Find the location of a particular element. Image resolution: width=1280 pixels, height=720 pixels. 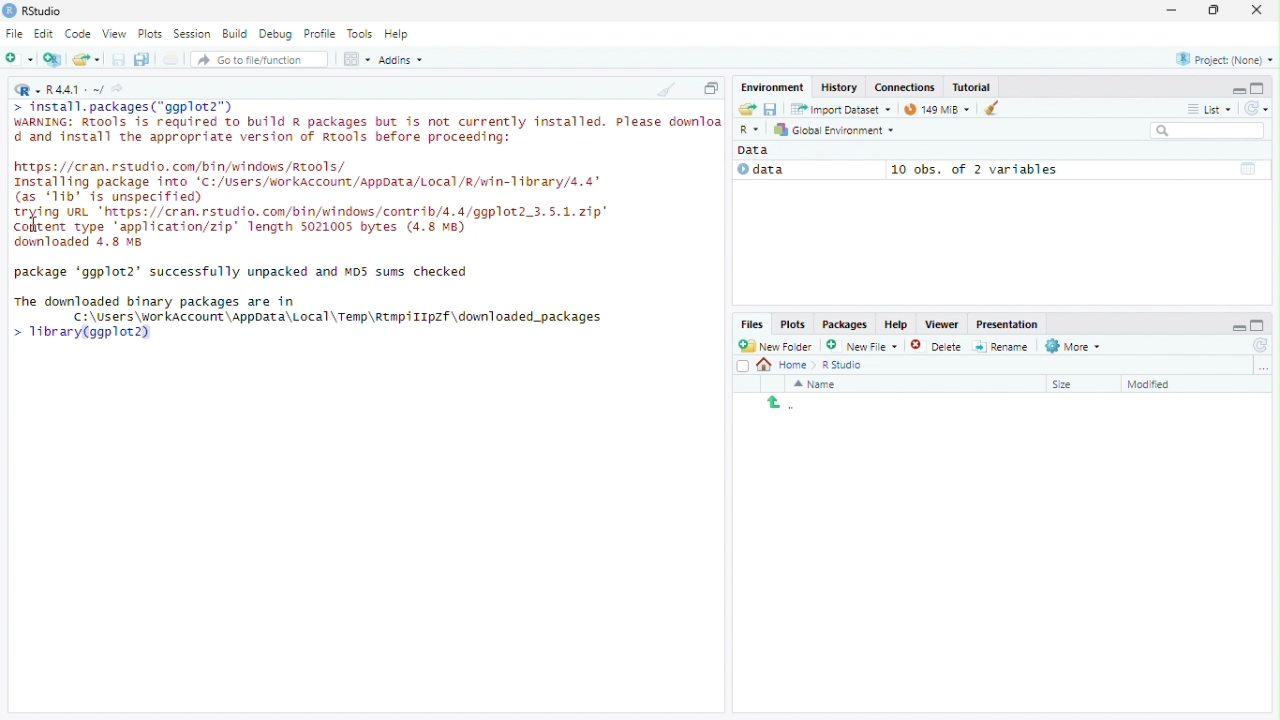

Plots is located at coordinates (153, 33).